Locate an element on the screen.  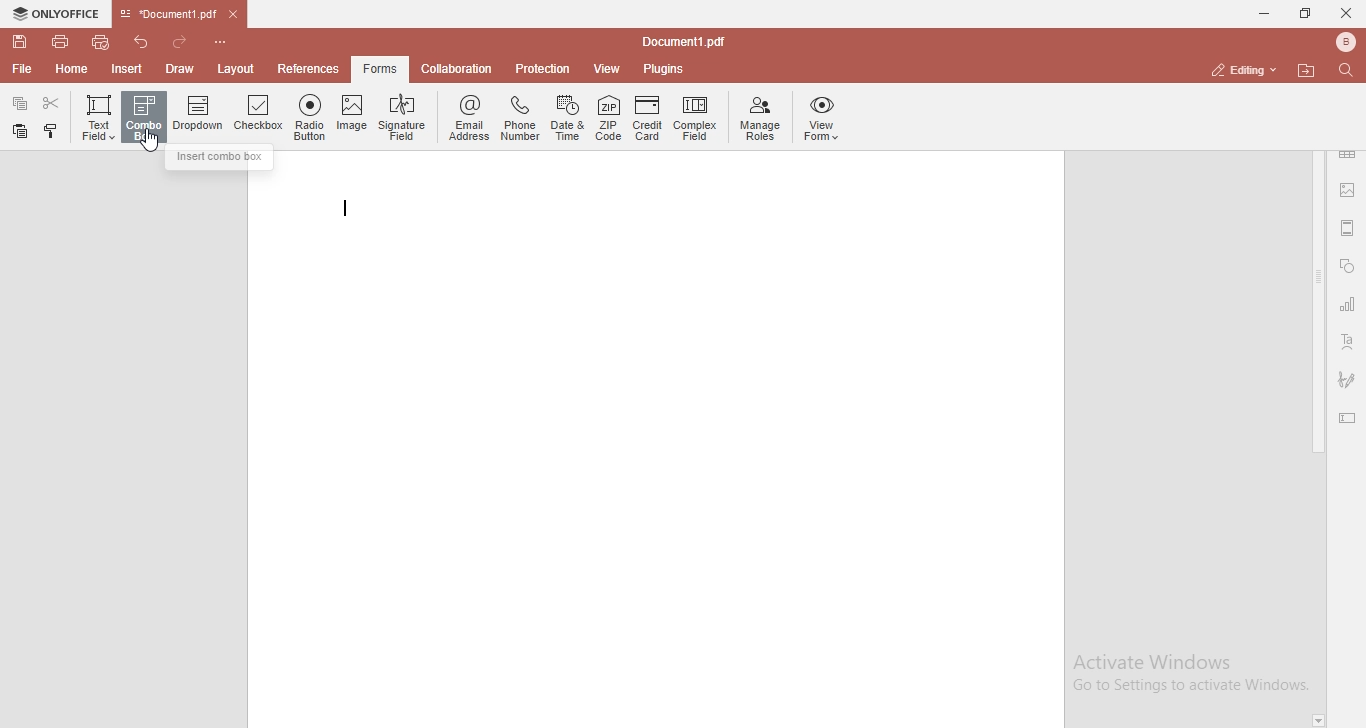
Activate Windows
Go to Settings to activate Windows. is located at coordinates (1191, 674).